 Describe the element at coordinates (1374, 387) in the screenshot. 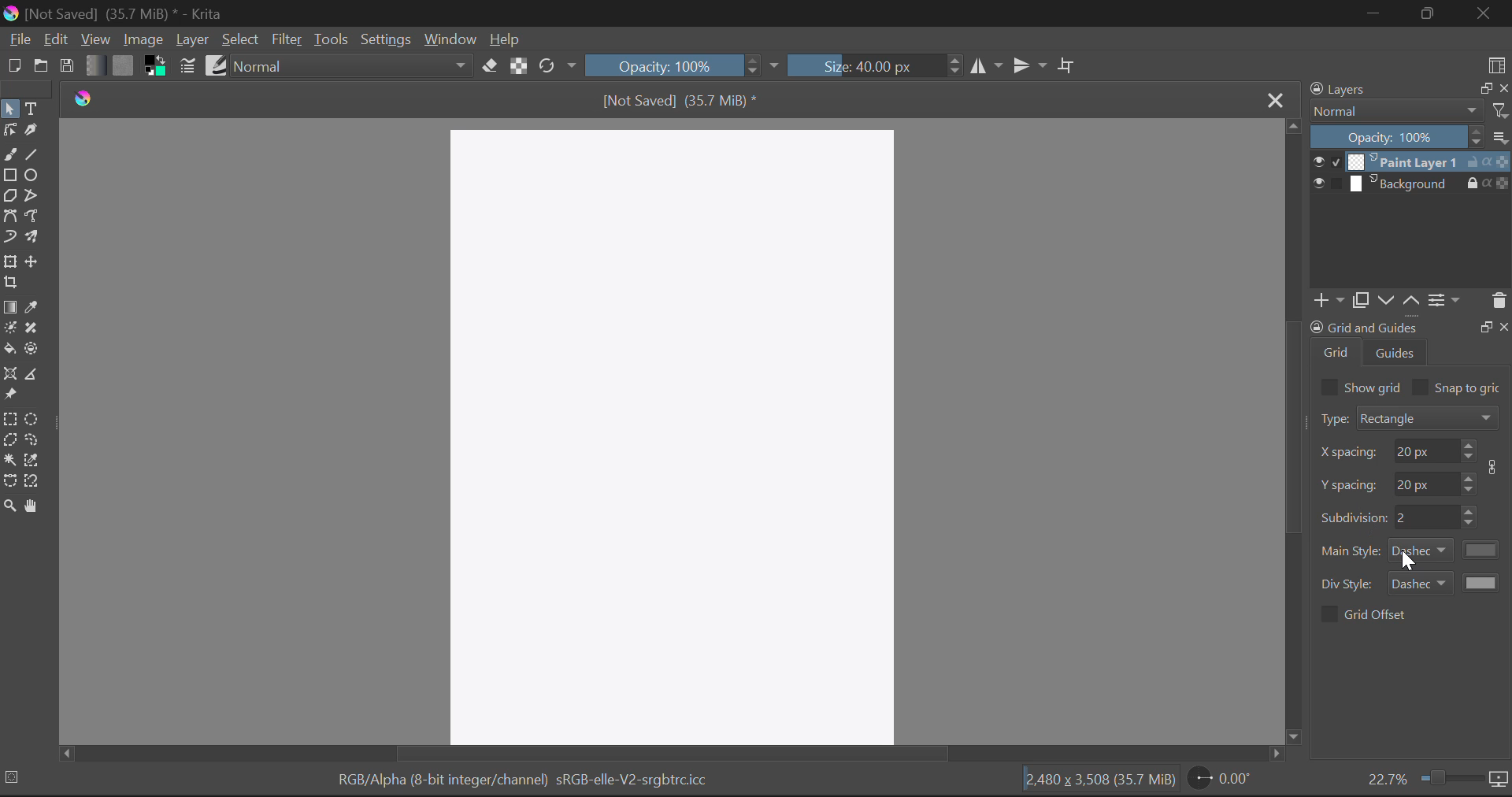

I see `show grid` at that location.